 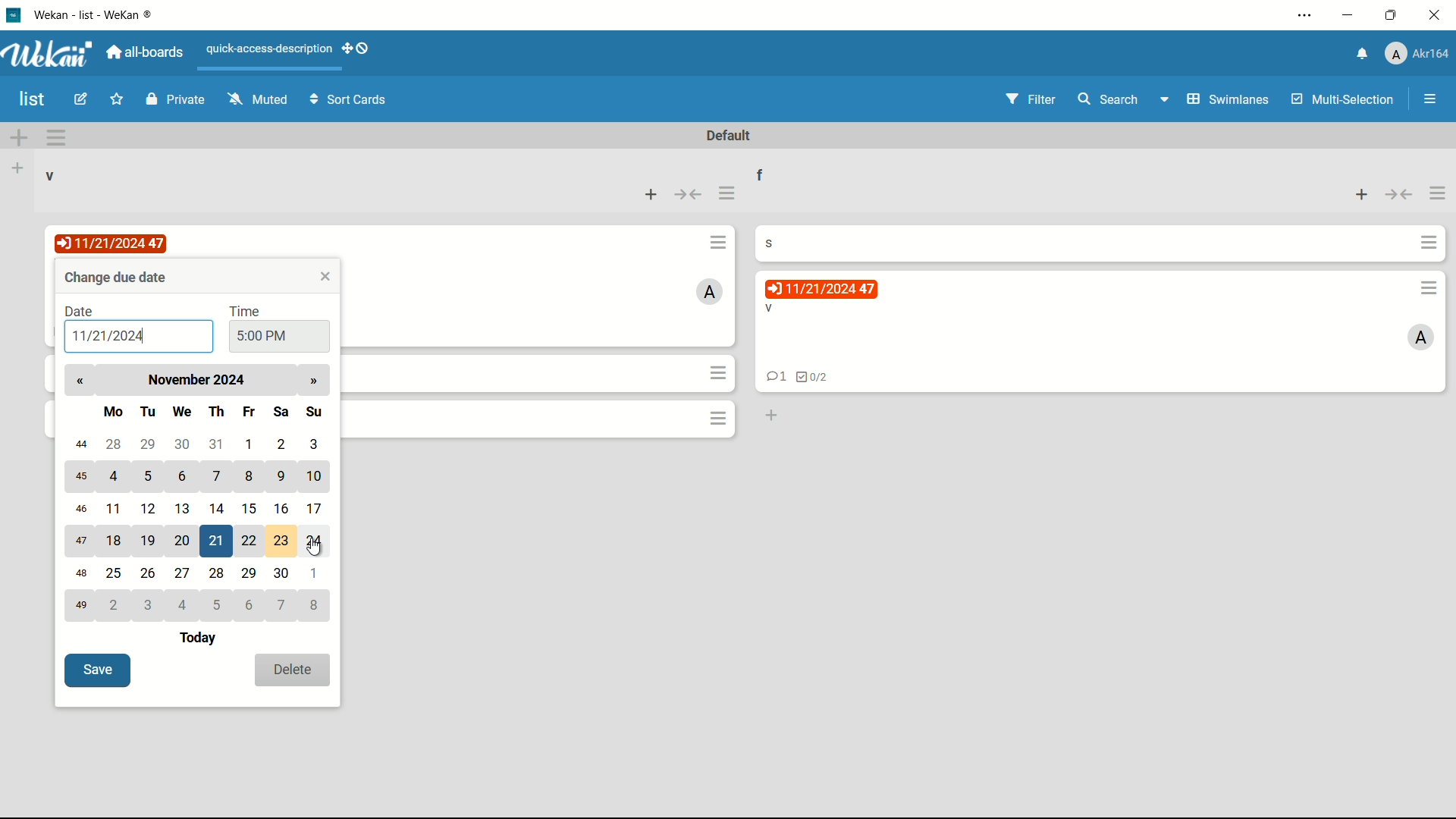 What do you see at coordinates (148, 476) in the screenshot?
I see `5` at bounding box center [148, 476].